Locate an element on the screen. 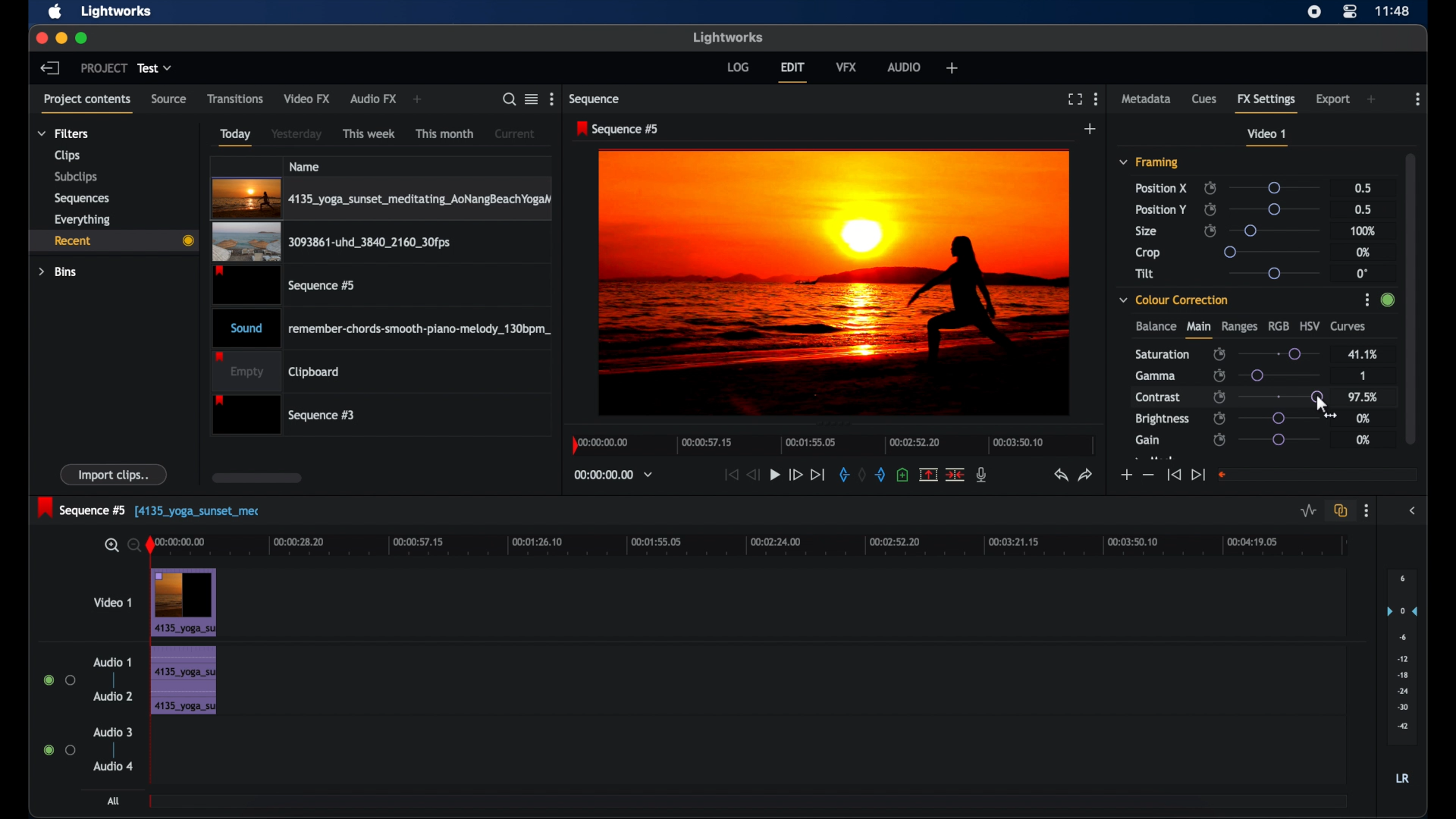 This screenshot has height=819, width=1456. toggle list or tile view is located at coordinates (532, 99).